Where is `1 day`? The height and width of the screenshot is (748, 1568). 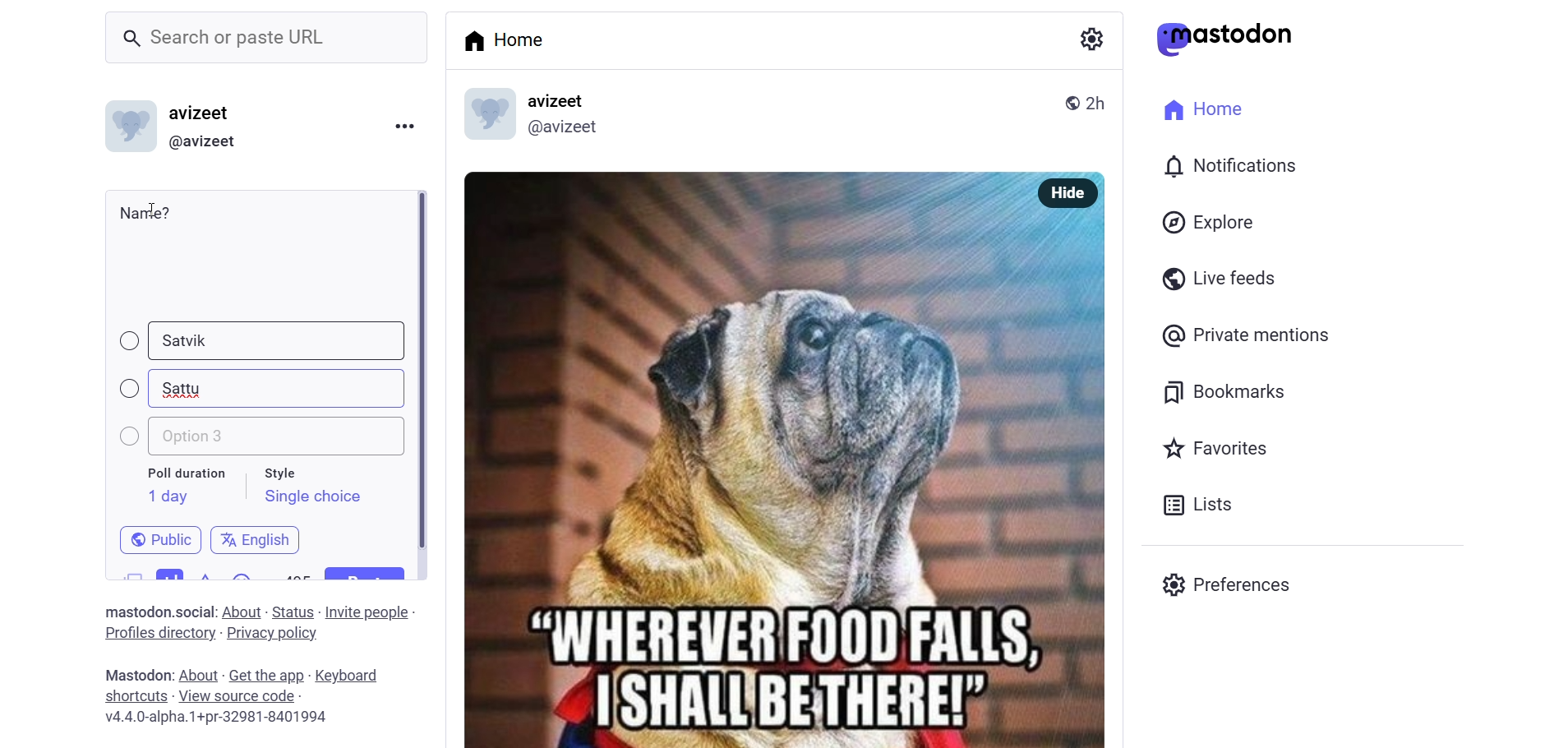 1 day is located at coordinates (165, 496).